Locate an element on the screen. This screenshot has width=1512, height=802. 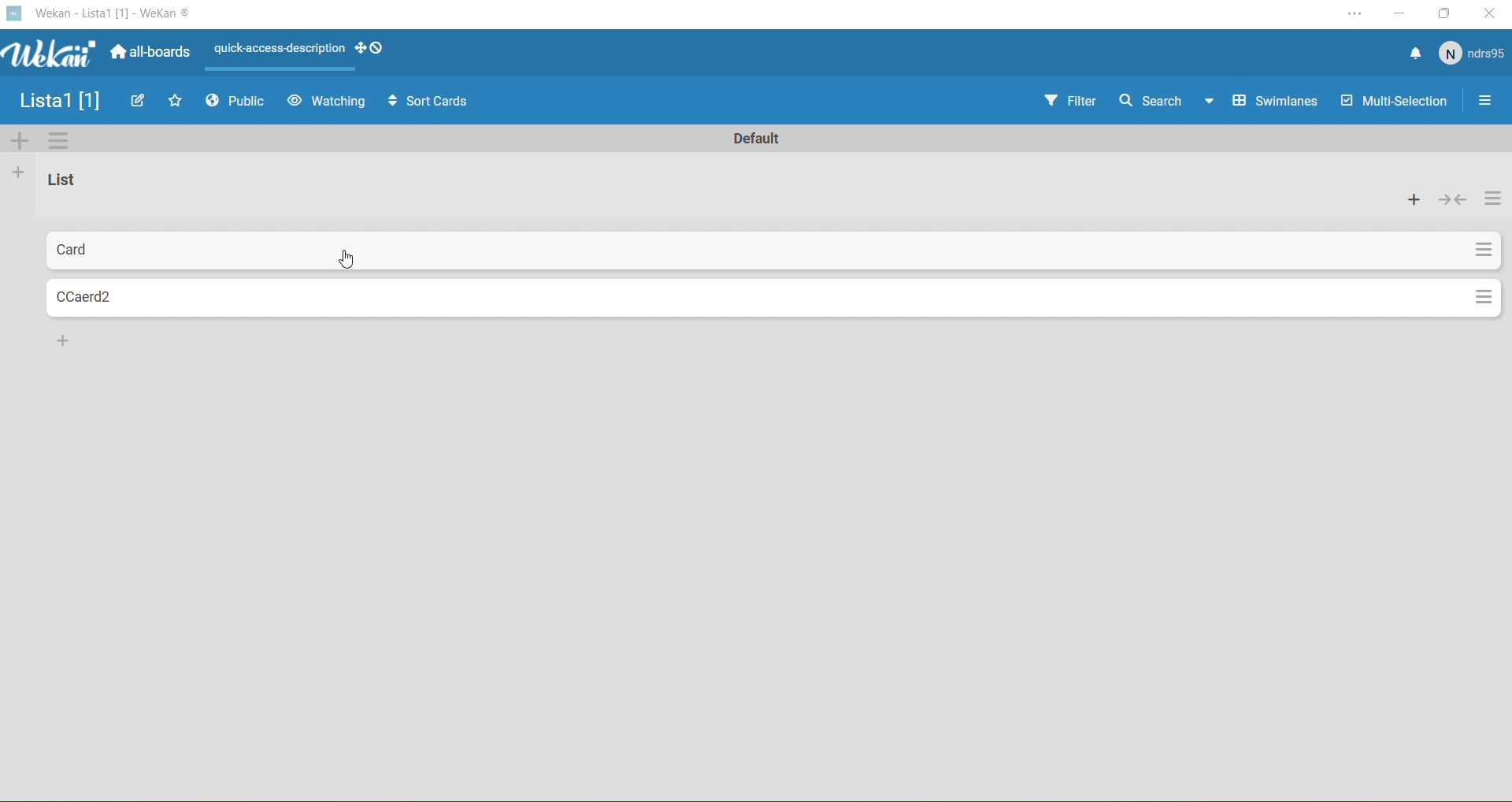
Settings is located at coordinates (1480, 251).